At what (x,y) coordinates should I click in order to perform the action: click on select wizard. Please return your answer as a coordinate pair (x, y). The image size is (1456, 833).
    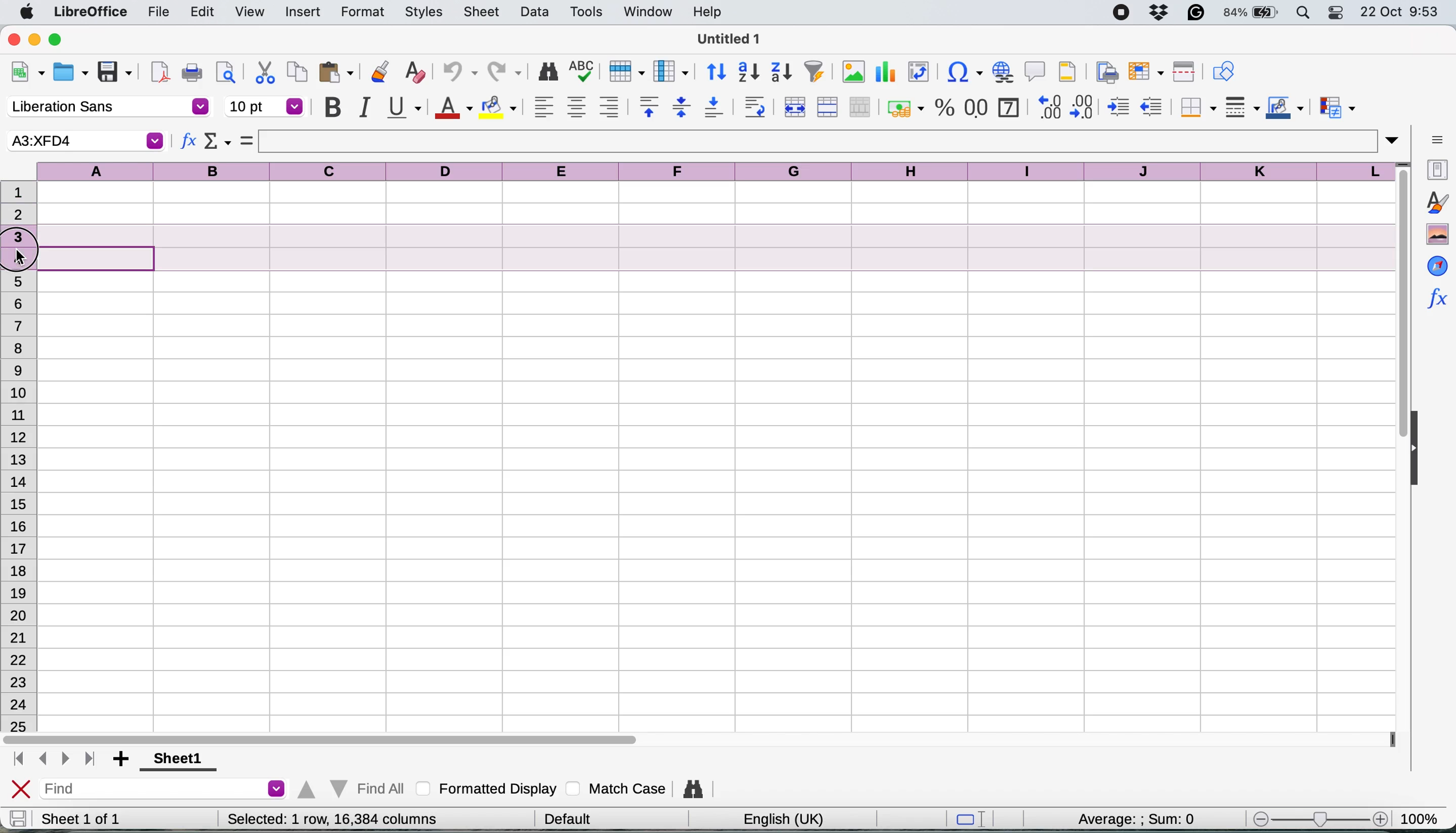
    Looking at the image, I should click on (218, 143).